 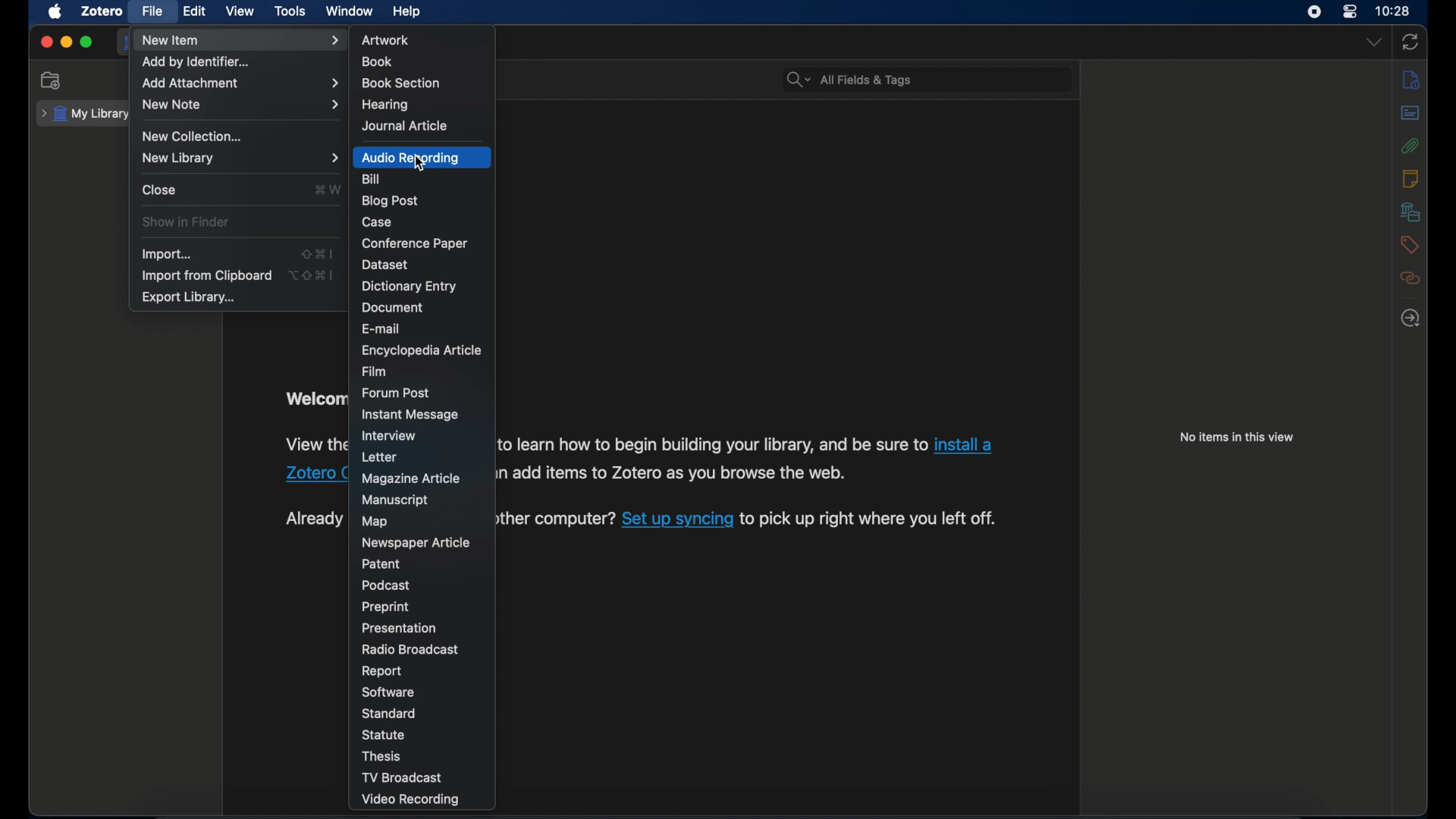 I want to click on patent, so click(x=381, y=563).